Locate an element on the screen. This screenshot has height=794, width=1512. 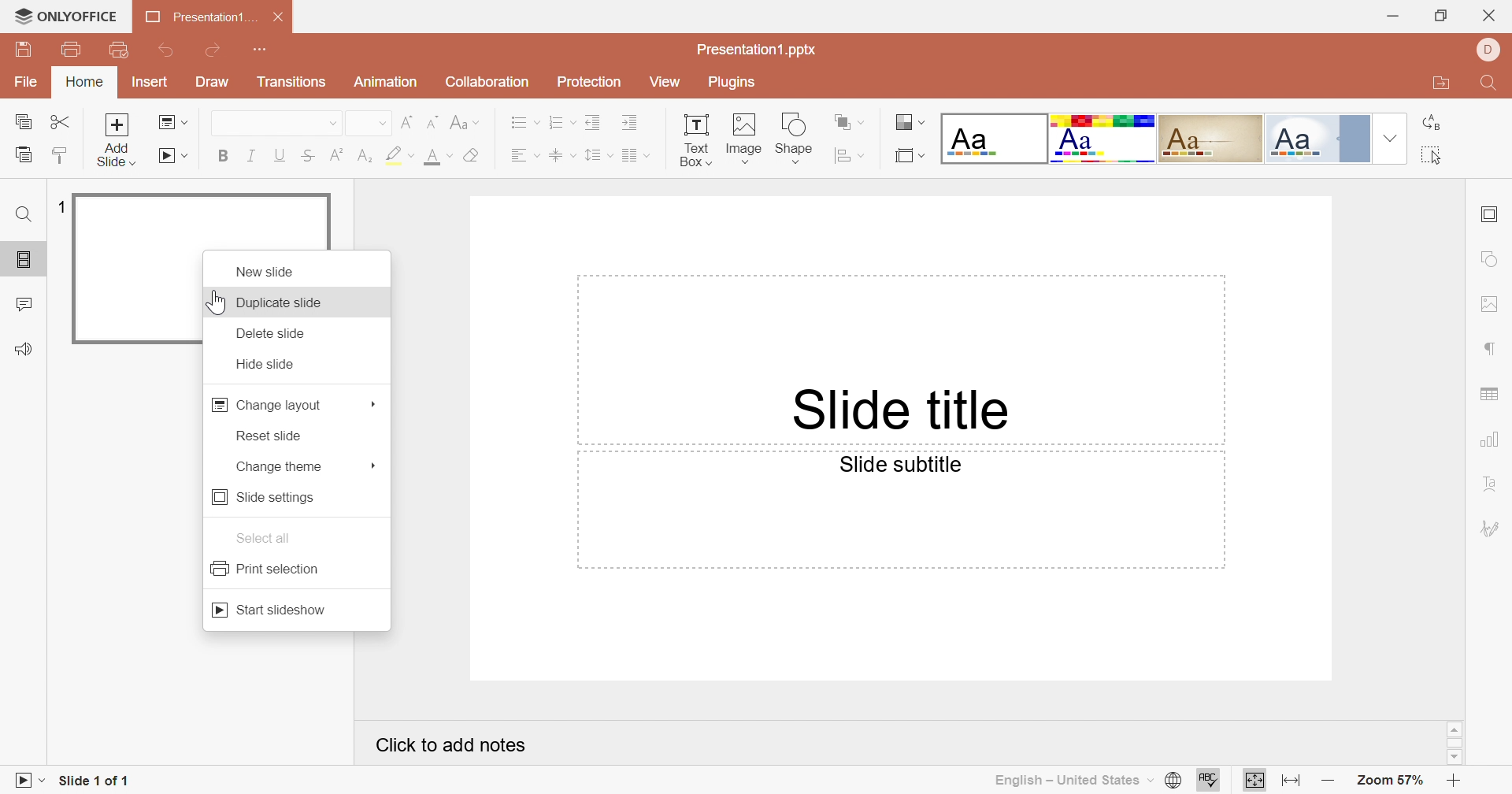
Clear is located at coordinates (474, 154).